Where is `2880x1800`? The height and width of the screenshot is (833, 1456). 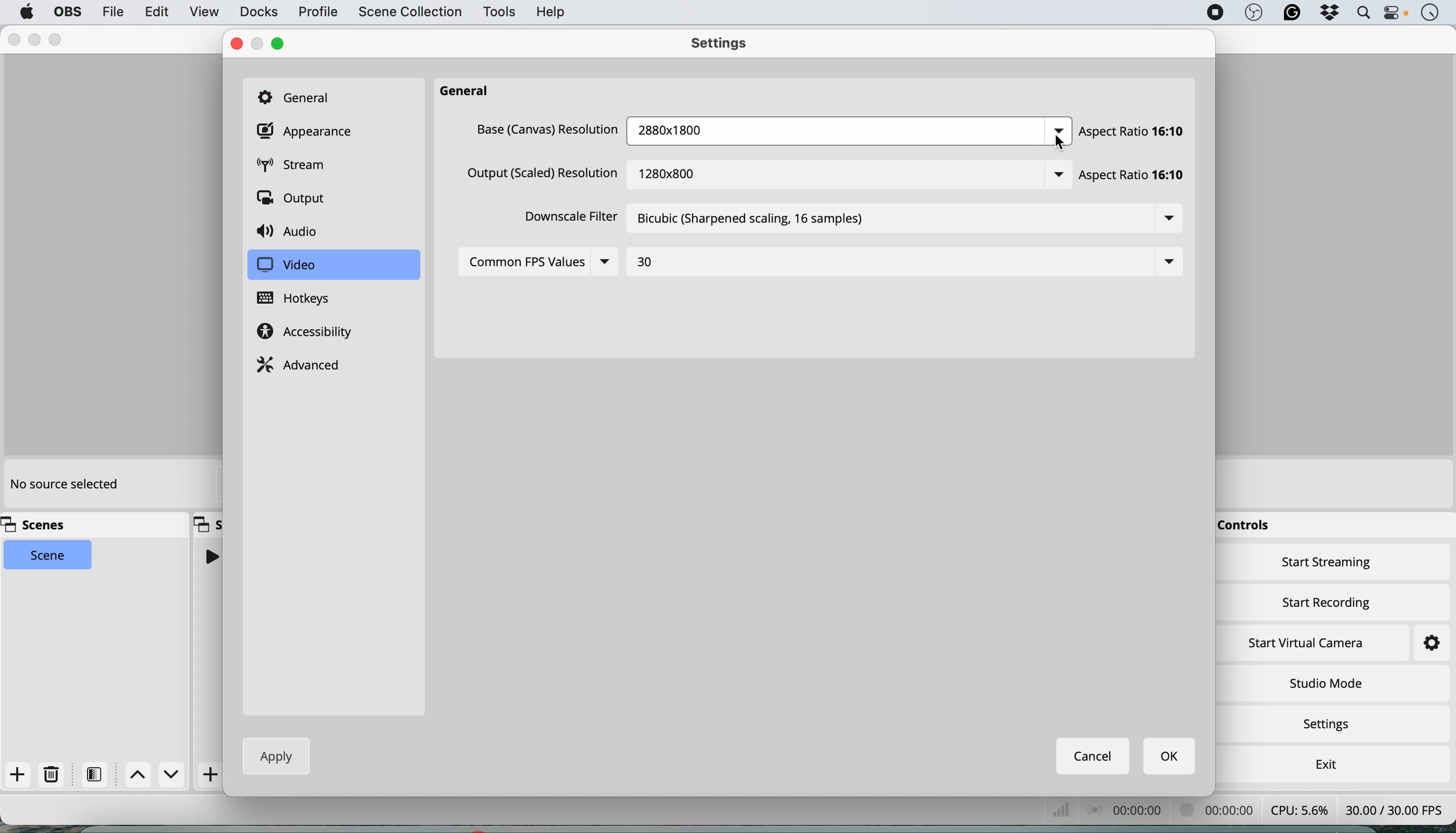
2880x1800 is located at coordinates (700, 132).